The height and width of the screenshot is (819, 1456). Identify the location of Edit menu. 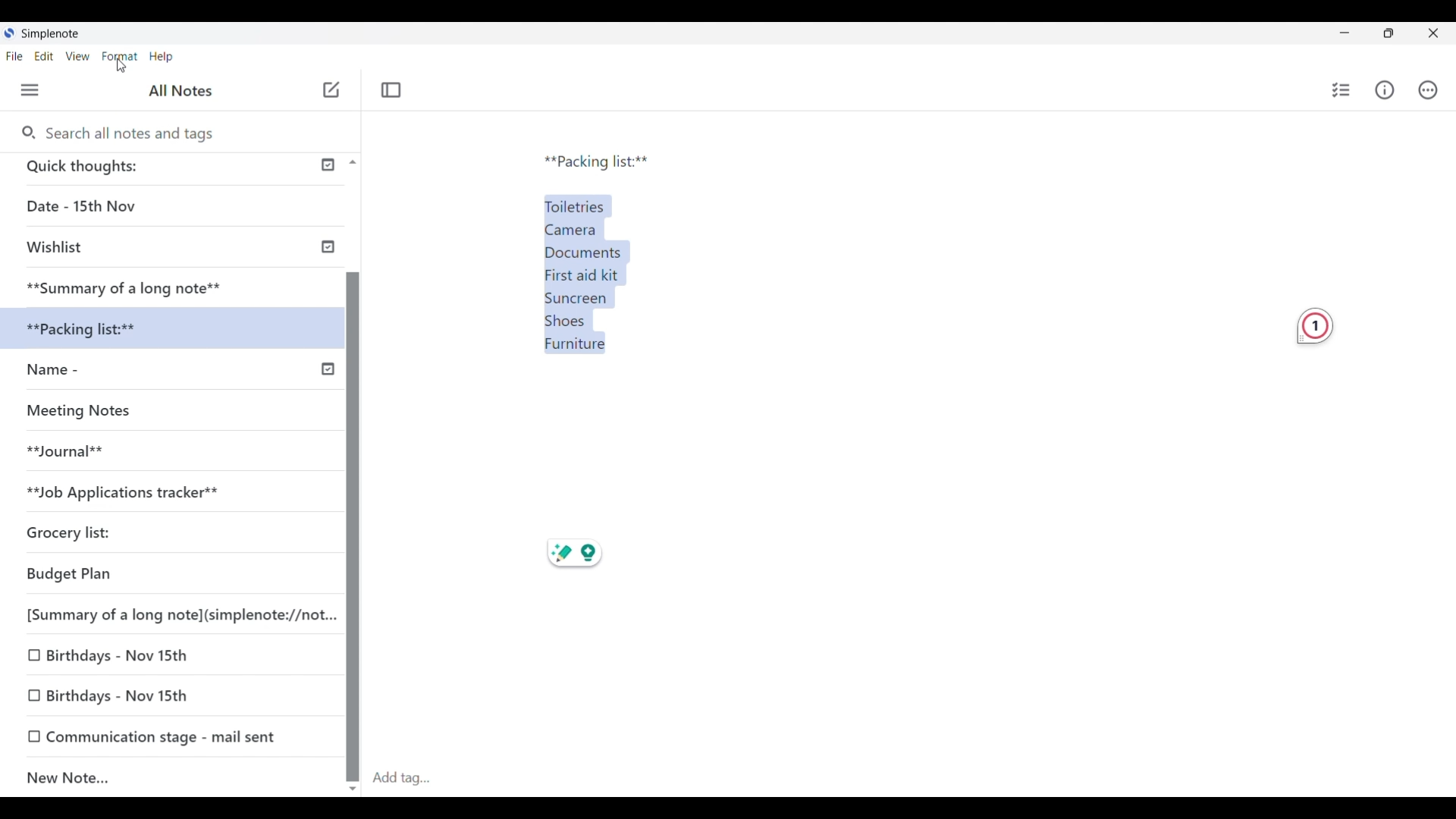
(45, 56).